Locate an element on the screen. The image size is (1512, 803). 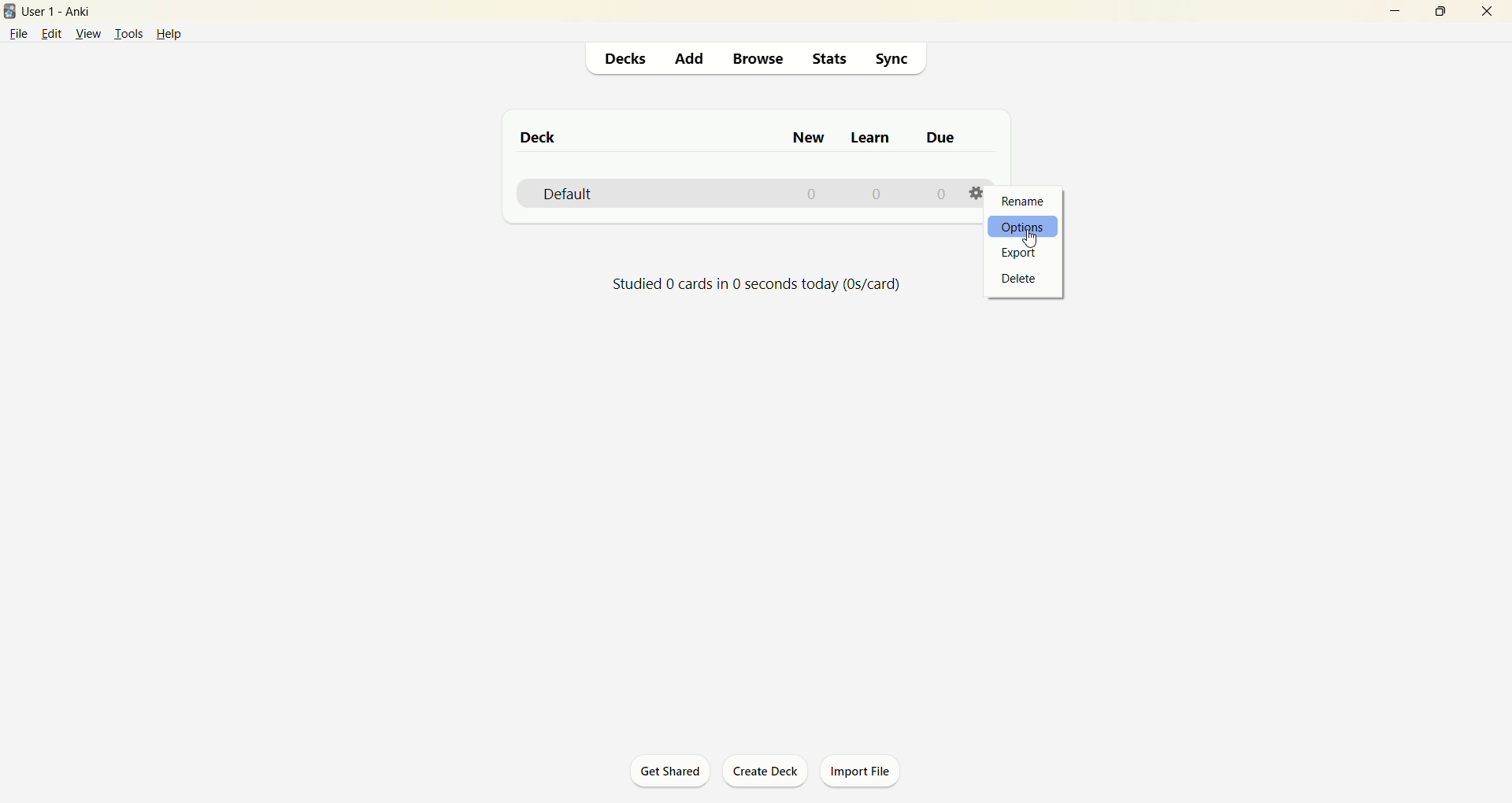
new is located at coordinates (810, 137).